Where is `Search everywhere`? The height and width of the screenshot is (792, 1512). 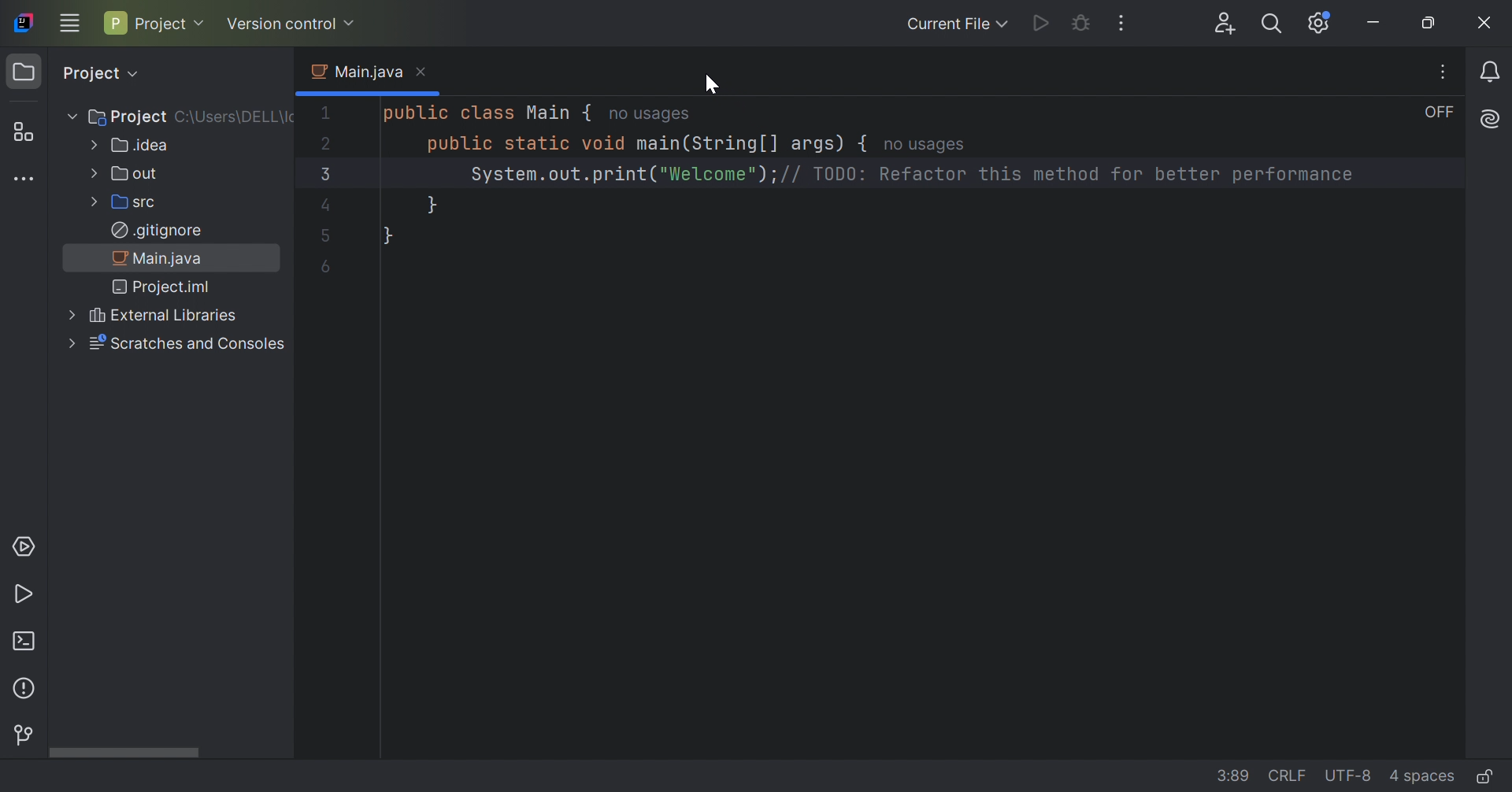
Search everywhere is located at coordinates (1270, 25).